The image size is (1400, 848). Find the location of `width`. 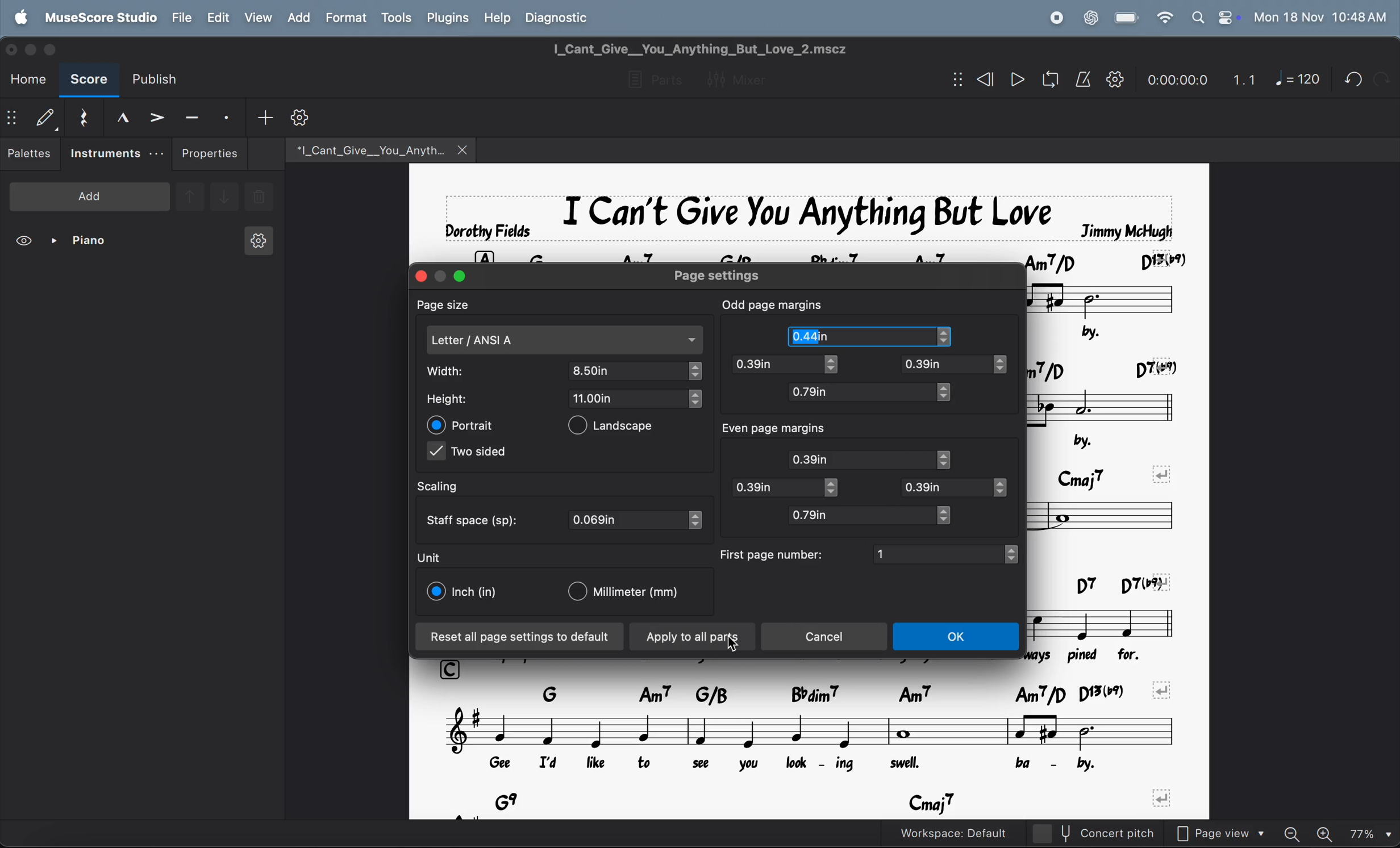

width is located at coordinates (458, 371).